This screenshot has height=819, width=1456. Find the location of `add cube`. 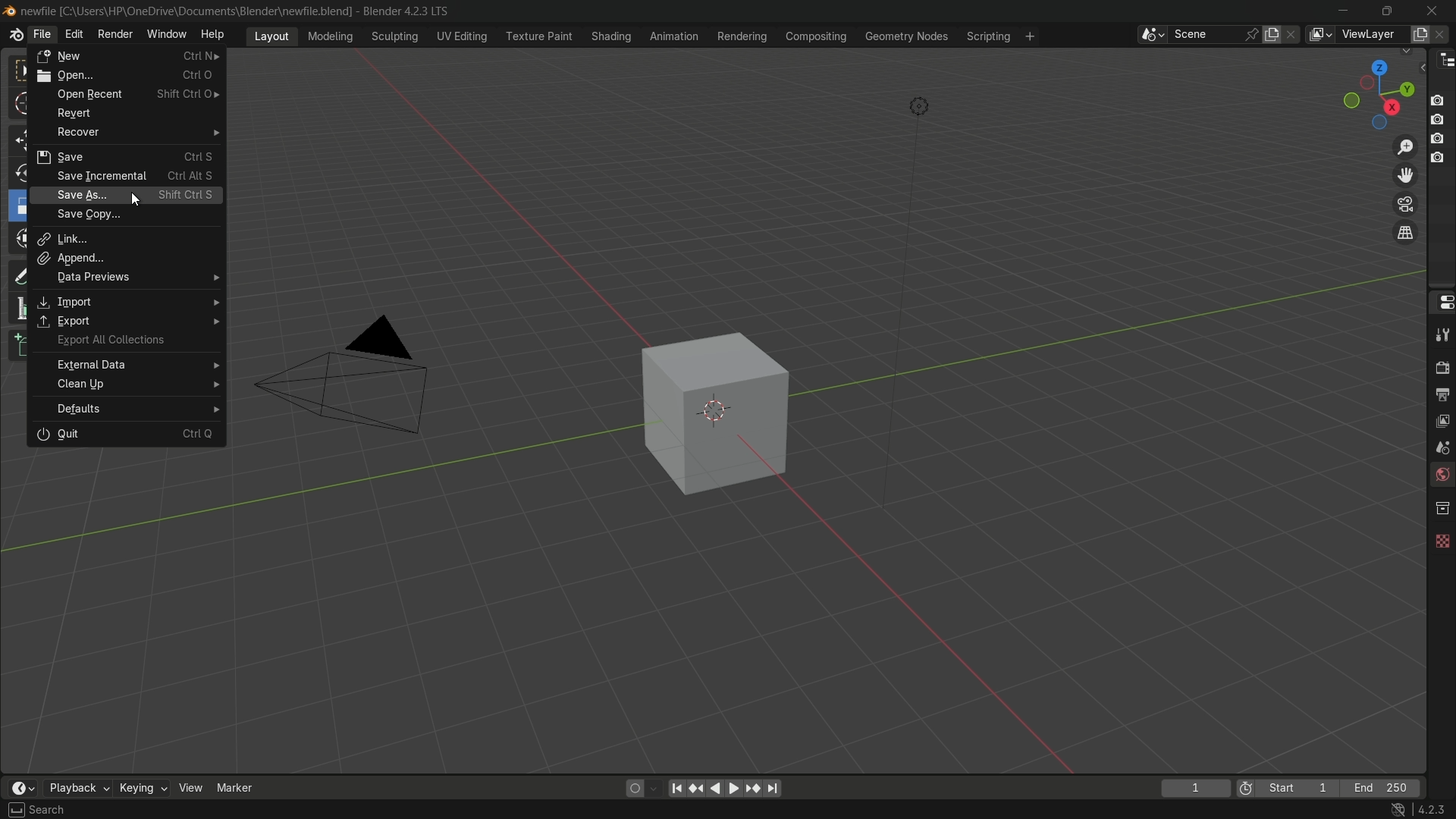

add cube is located at coordinates (14, 347).